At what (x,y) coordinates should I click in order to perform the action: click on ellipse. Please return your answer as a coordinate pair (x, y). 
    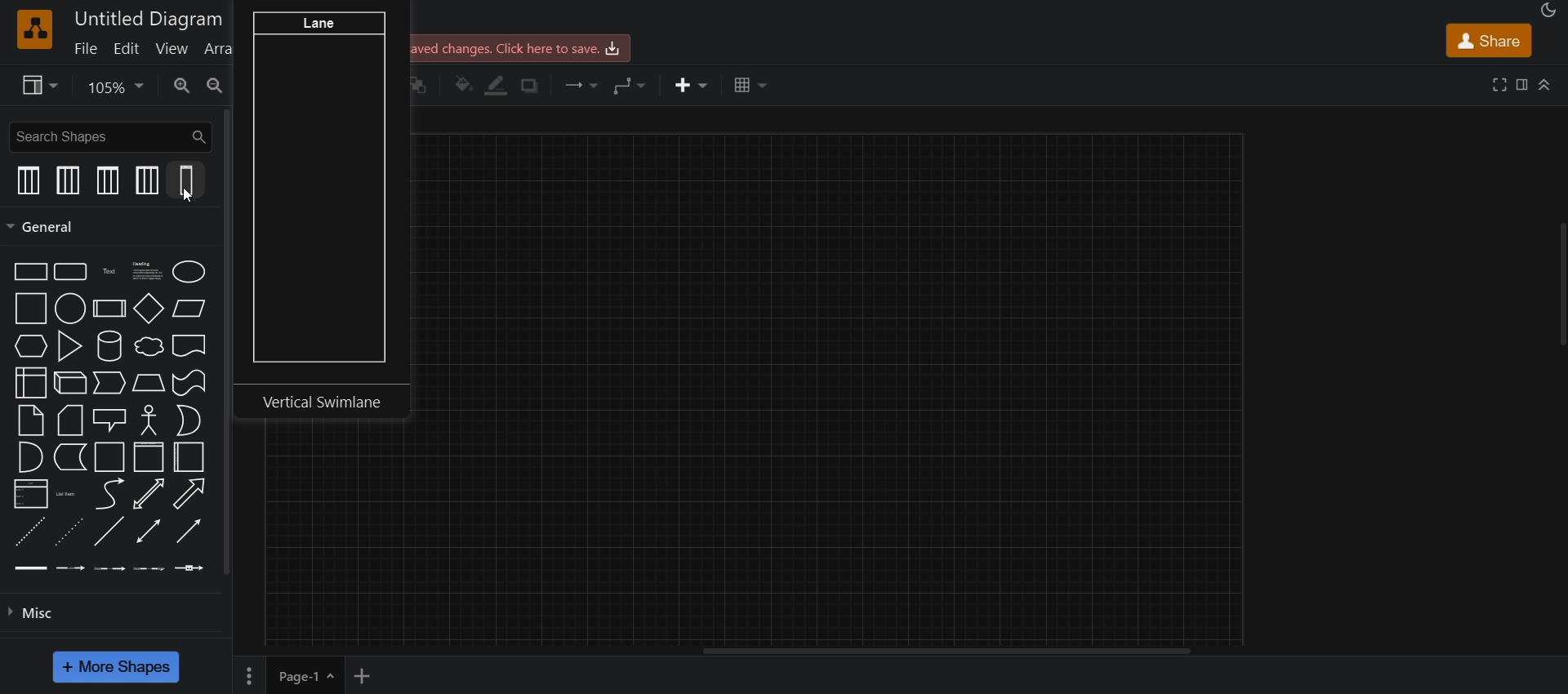
    Looking at the image, I should click on (192, 270).